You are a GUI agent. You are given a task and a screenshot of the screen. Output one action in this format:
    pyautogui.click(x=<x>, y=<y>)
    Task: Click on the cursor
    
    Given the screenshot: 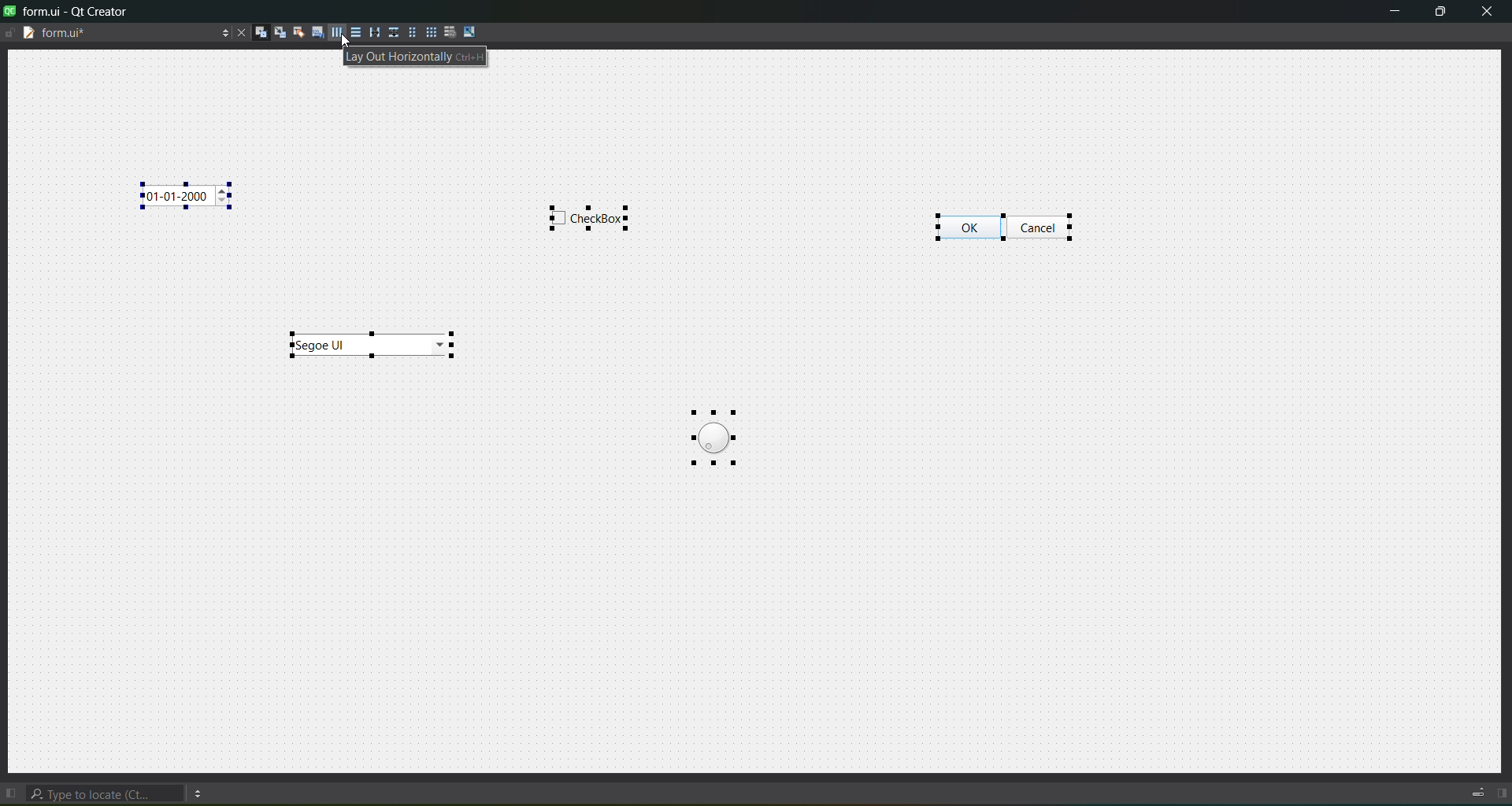 What is the action you would take?
    pyautogui.click(x=345, y=47)
    